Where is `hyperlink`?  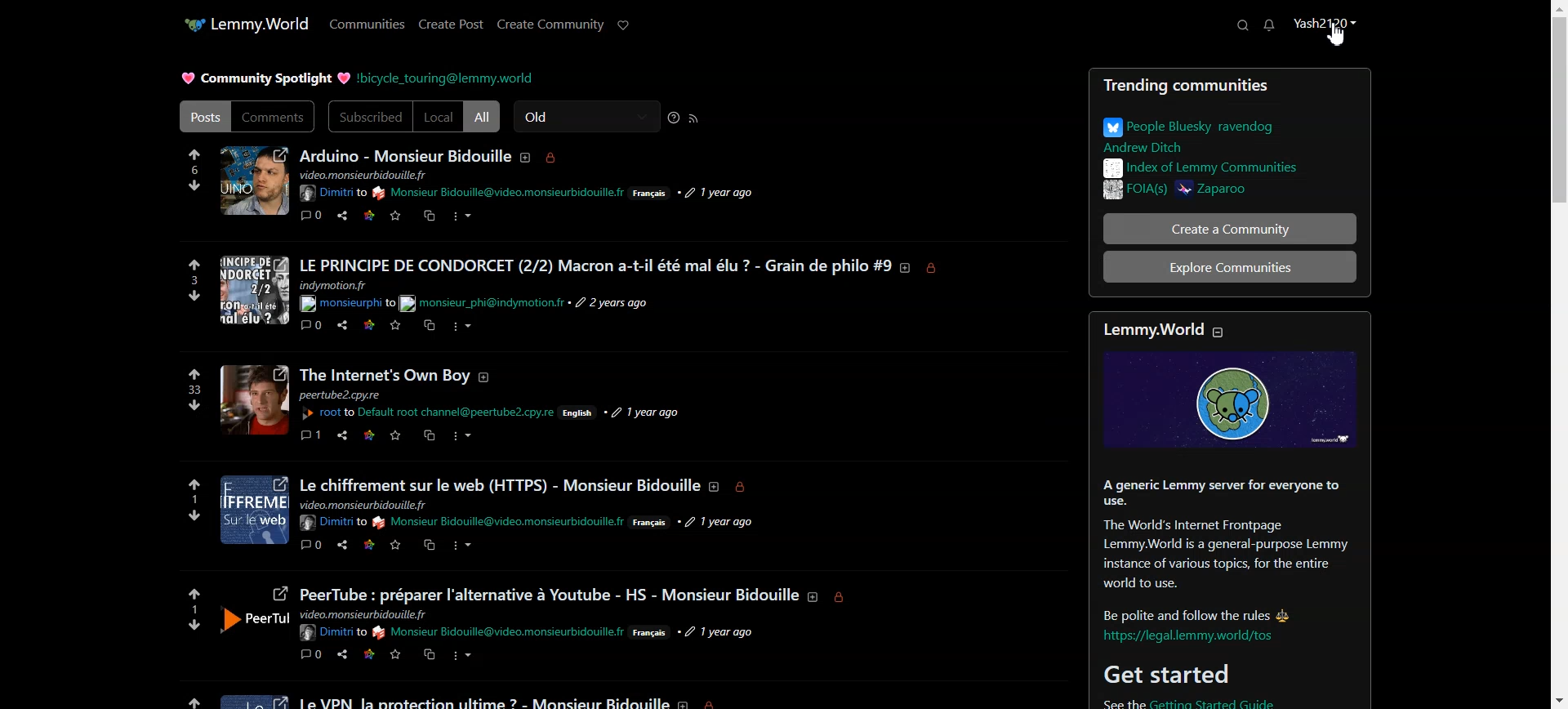
hyperlink is located at coordinates (345, 304).